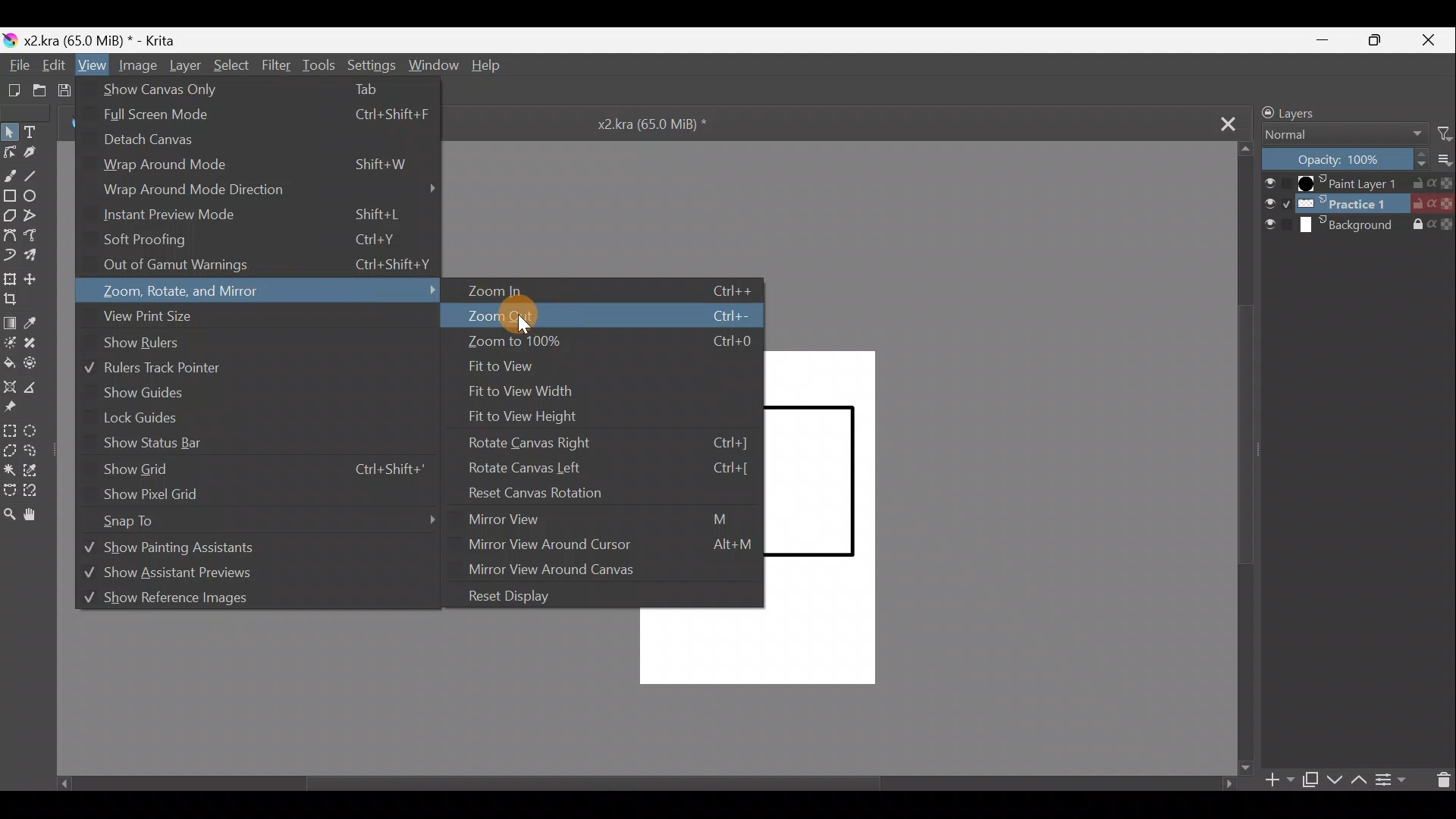 Image resolution: width=1456 pixels, height=819 pixels. I want to click on Add layer, so click(1279, 782).